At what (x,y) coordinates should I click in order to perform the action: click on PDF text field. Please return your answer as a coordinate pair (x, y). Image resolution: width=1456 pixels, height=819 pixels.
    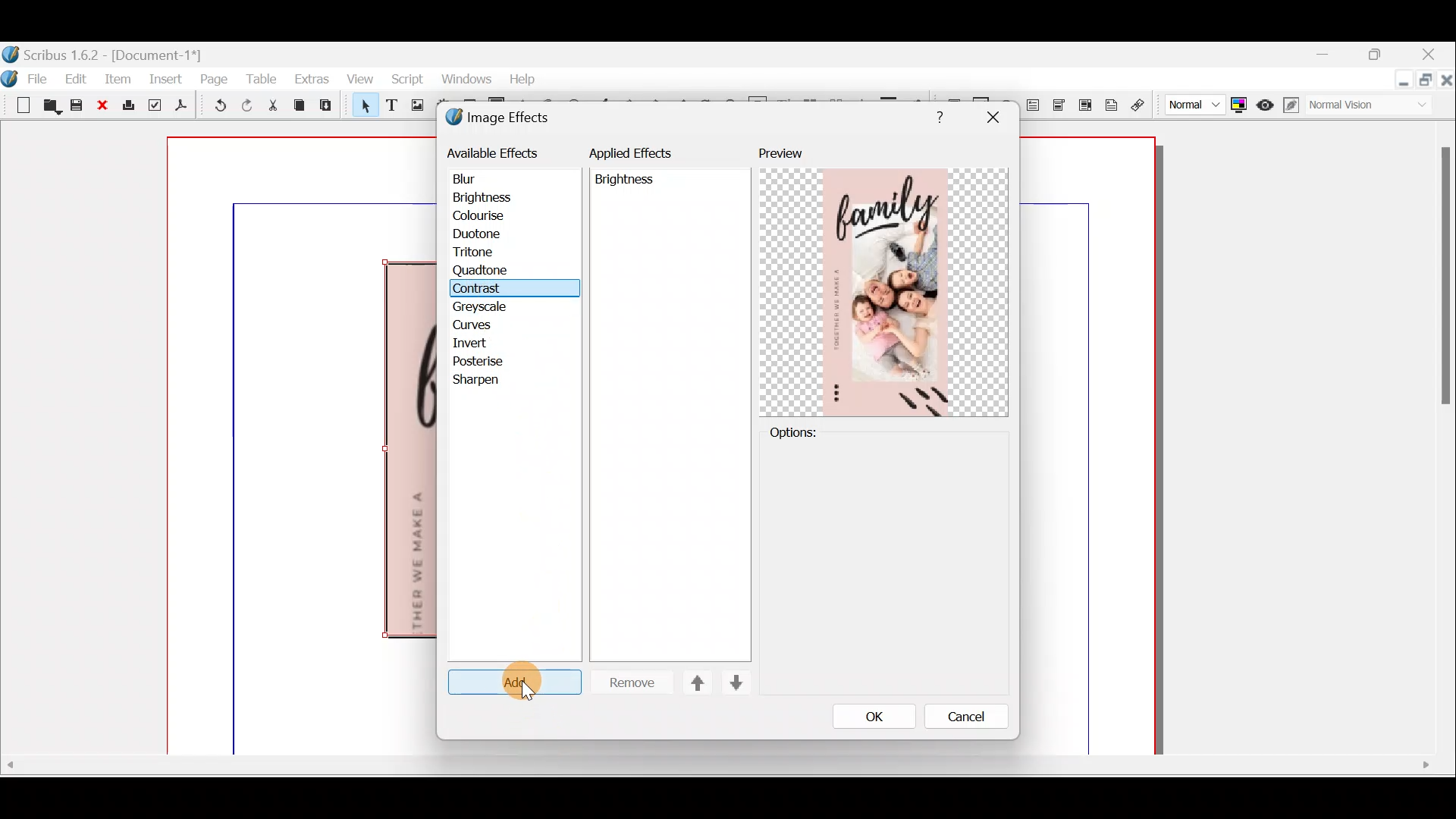
    Looking at the image, I should click on (1034, 105).